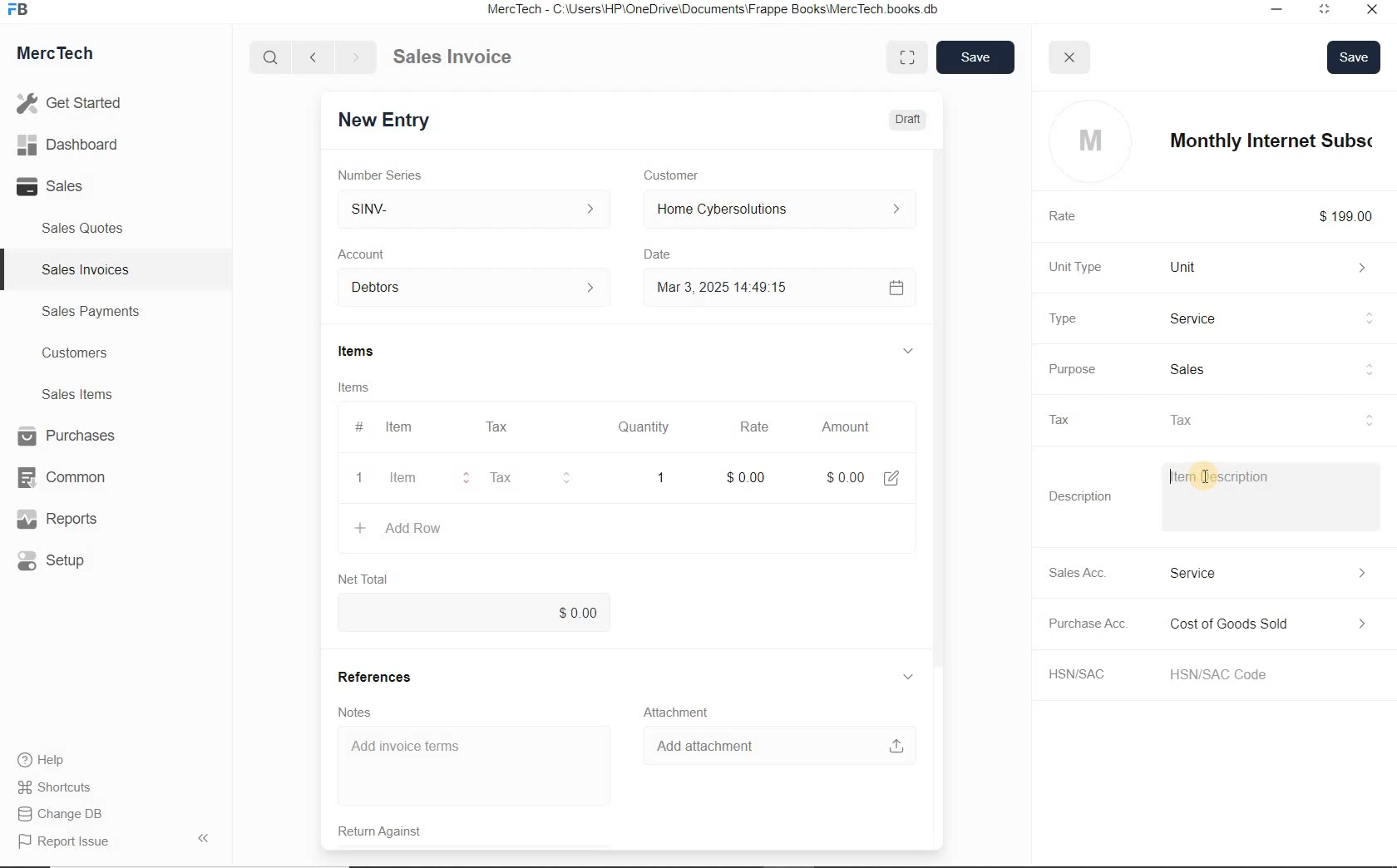 The image size is (1397, 868). What do you see at coordinates (644, 427) in the screenshot?
I see `Quantity` at bounding box center [644, 427].